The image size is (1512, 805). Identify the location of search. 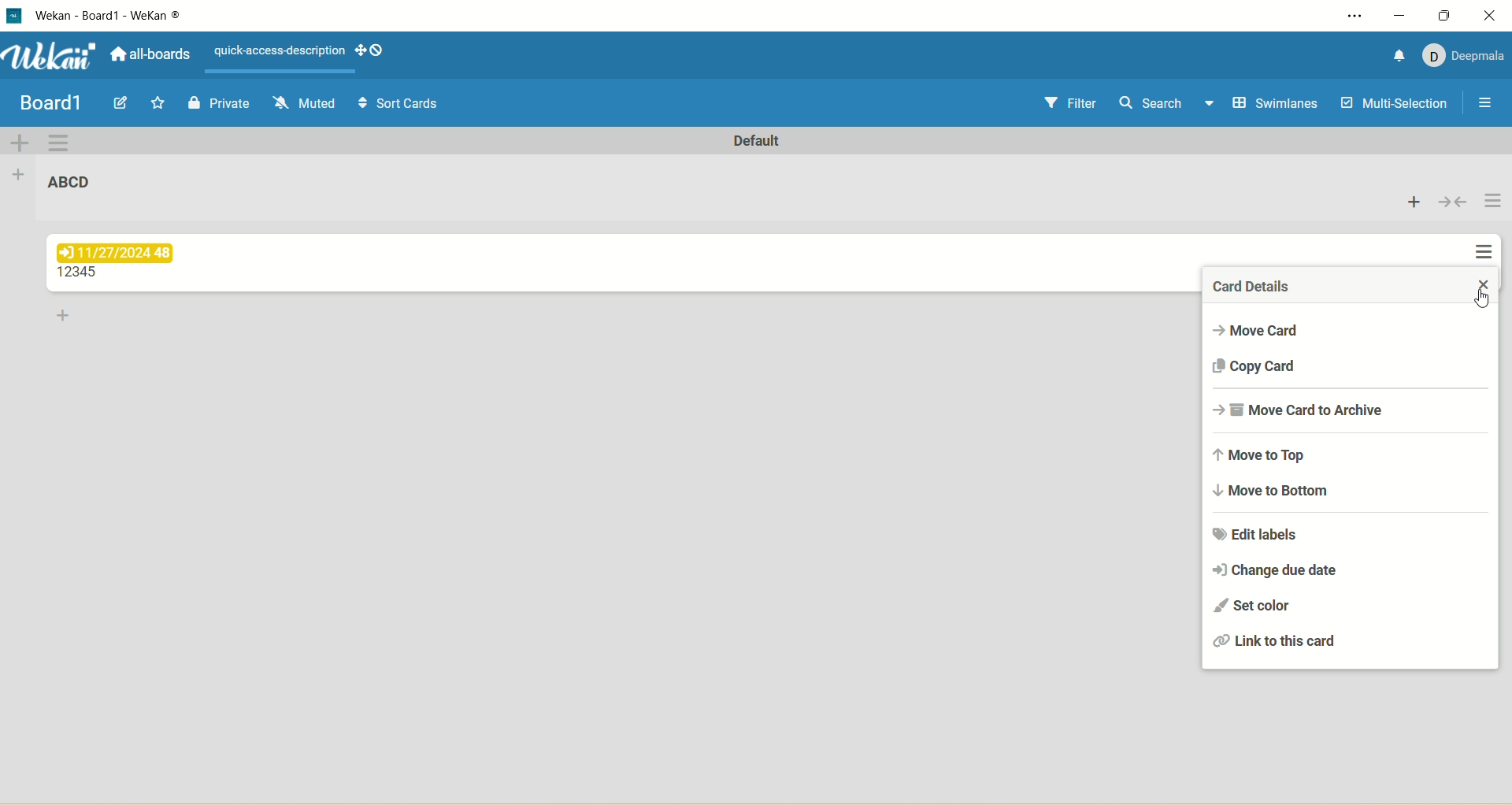
(1168, 105).